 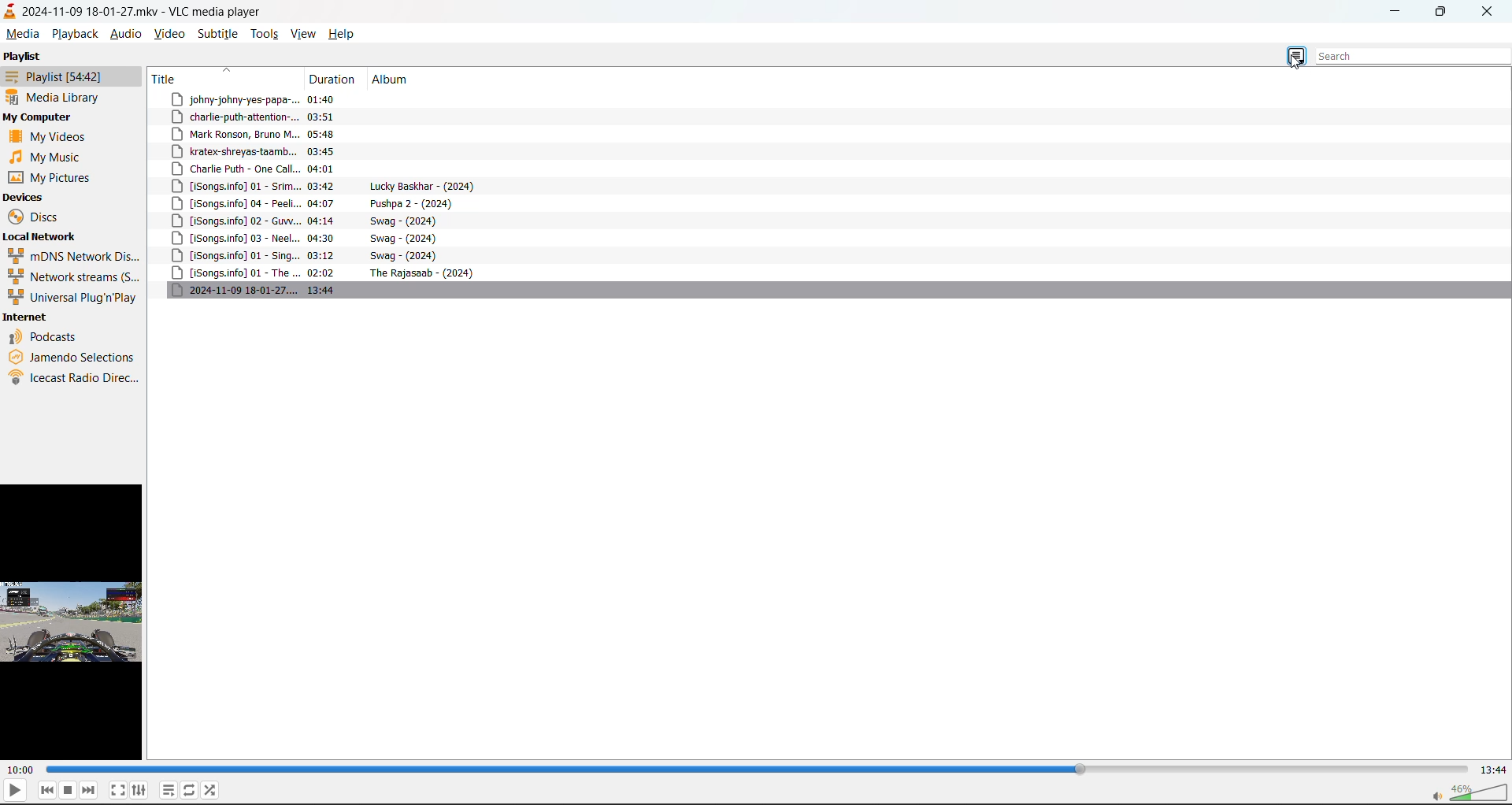 What do you see at coordinates (338, 186) in the screenshot?
I see `track title, duration and album` at bounding box center [338, 186].